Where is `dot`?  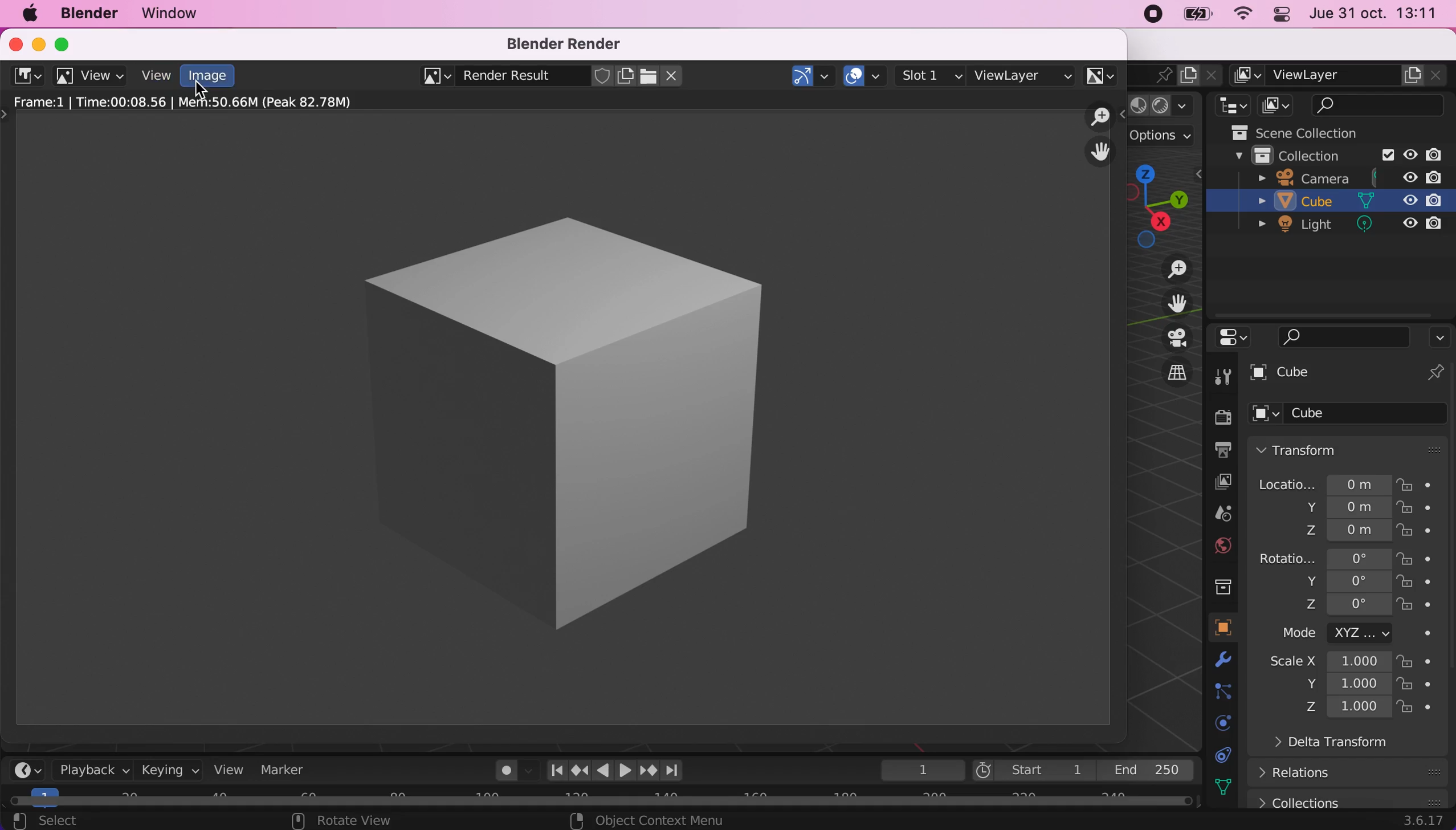
dot is located at coordinates (1422, 634).